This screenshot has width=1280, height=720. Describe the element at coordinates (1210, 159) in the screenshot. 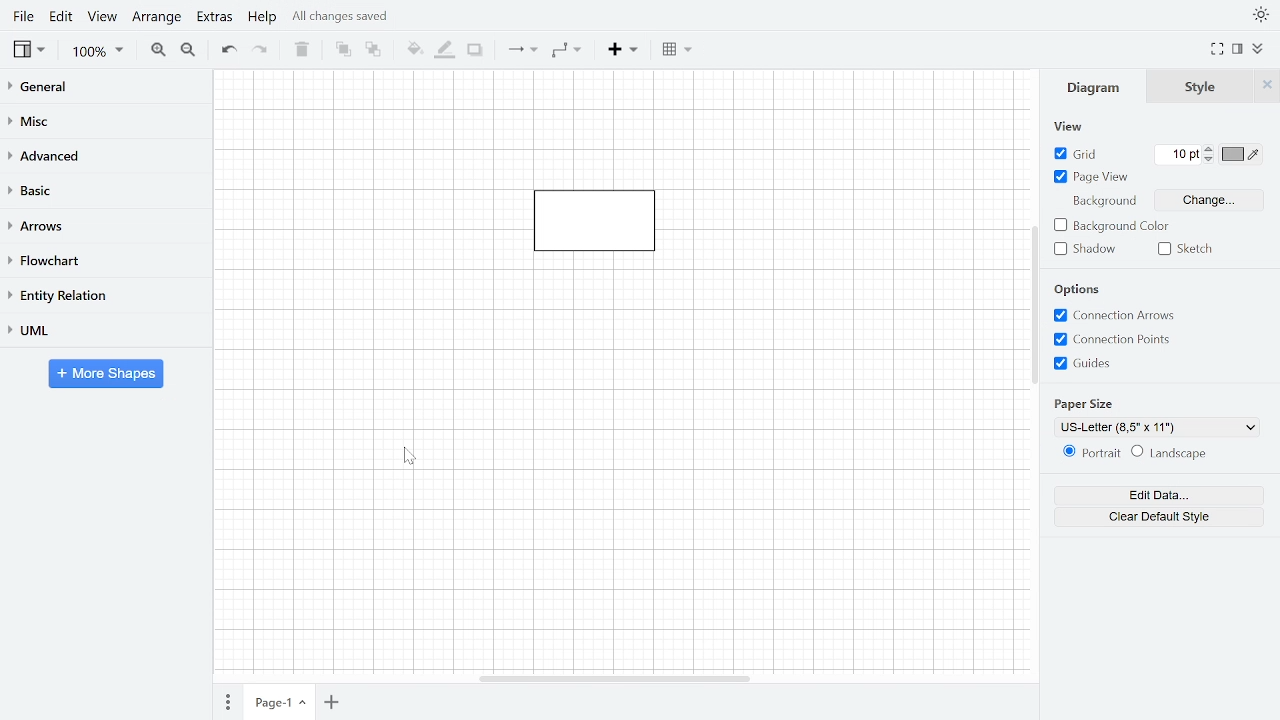

I see `Decrease grid pt` at that location.